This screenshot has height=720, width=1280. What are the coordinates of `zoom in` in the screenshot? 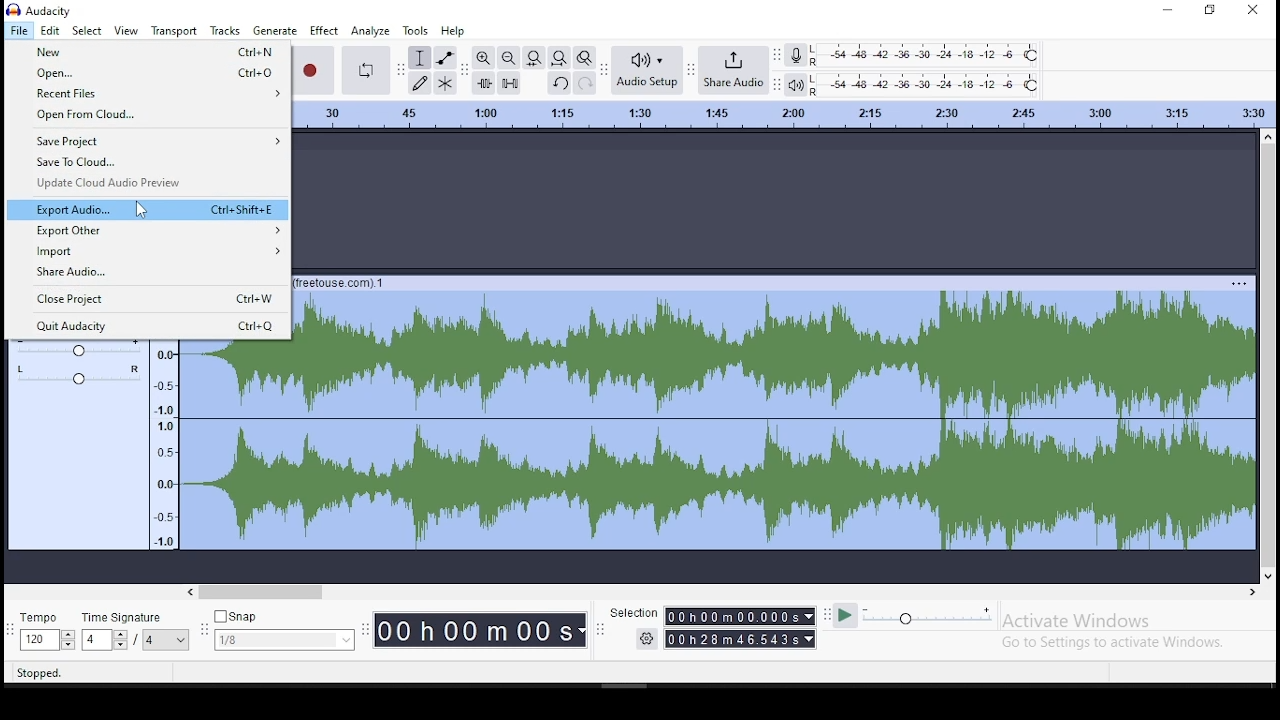 It's located at (483, 58).